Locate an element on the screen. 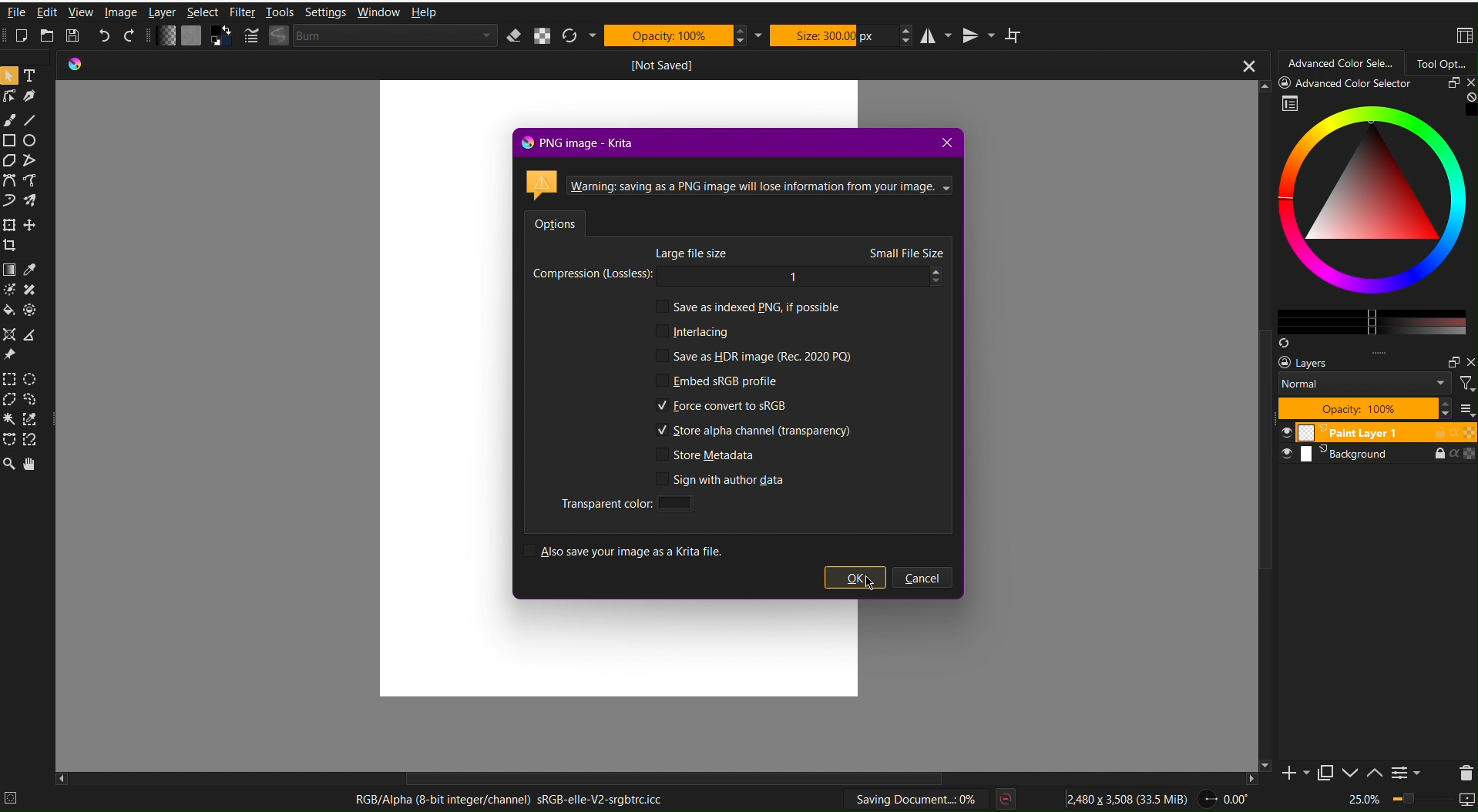 The height and width of the screenshot is (812, 1478). Tools is located at coordinates (280, 12).